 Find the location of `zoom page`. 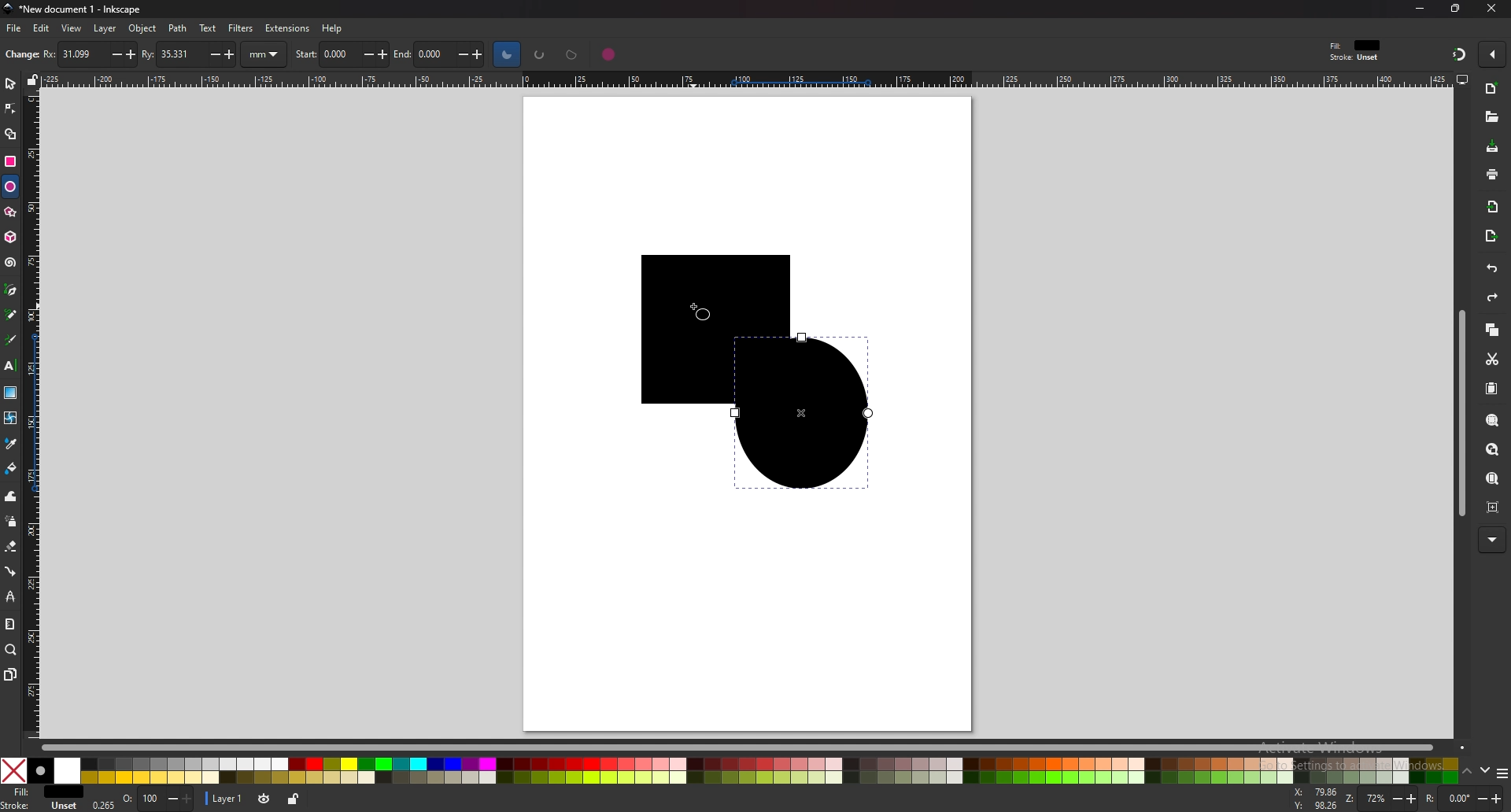

zoom page is located at coordinates (1493, 478).